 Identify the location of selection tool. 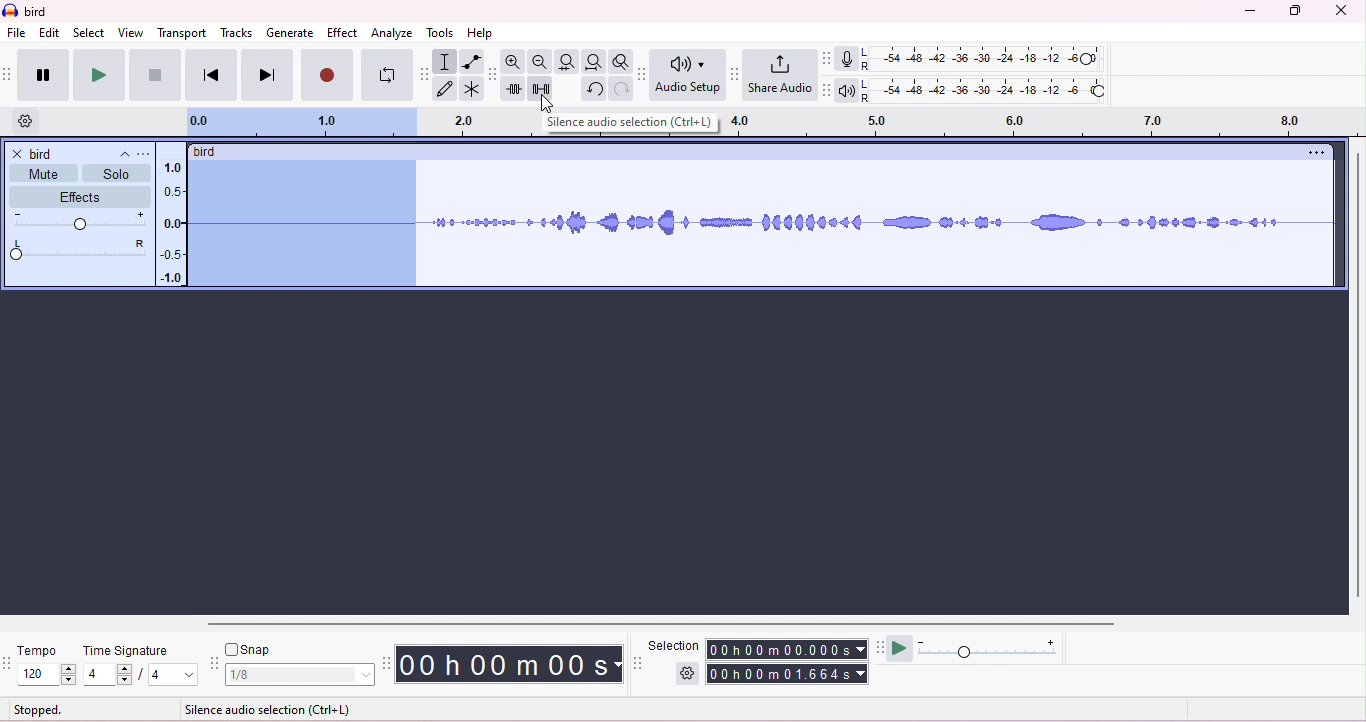
(640, 663).